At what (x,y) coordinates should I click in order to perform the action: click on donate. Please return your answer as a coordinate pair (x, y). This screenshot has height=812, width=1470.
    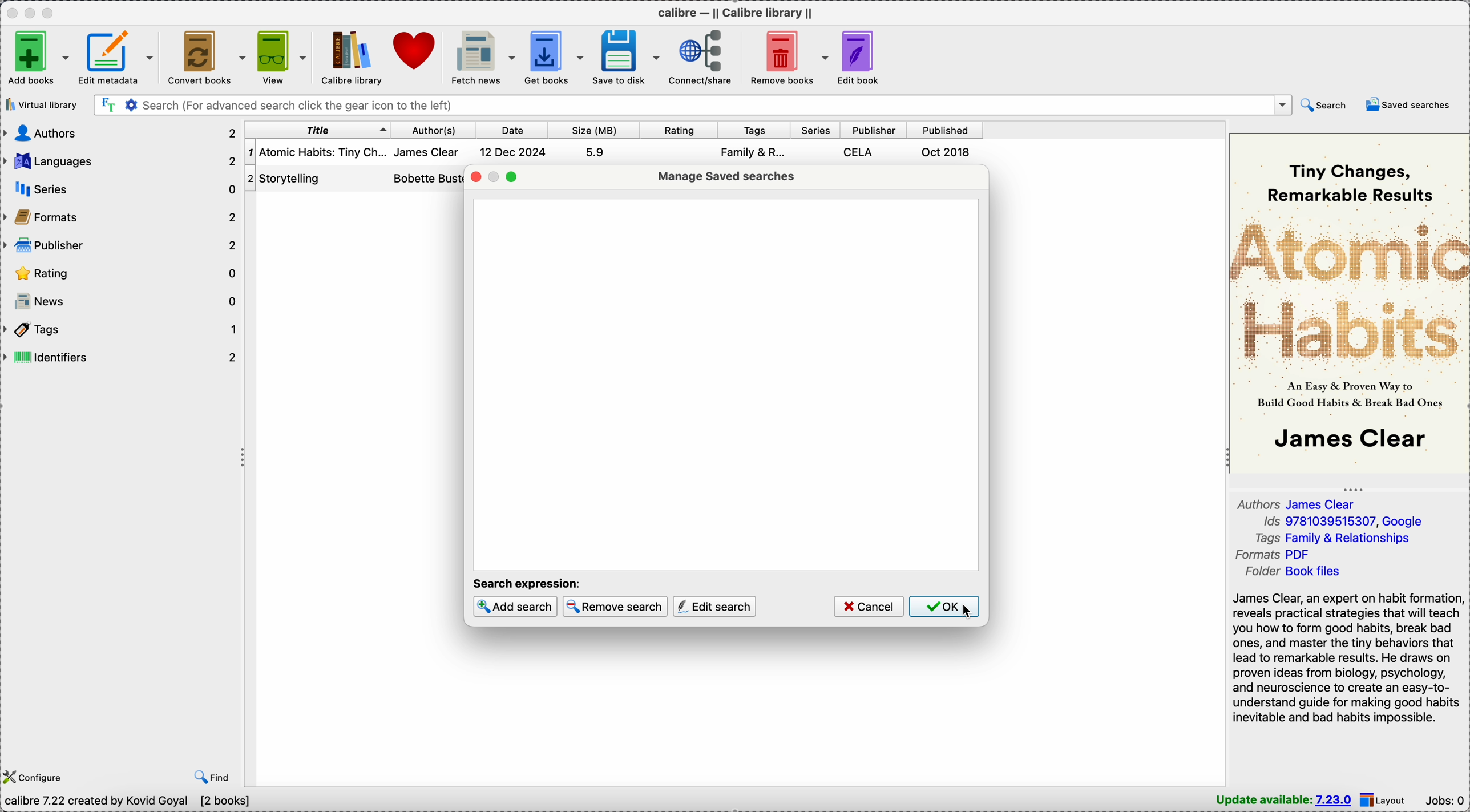
    Looking at the image, I should click on (413, 49).